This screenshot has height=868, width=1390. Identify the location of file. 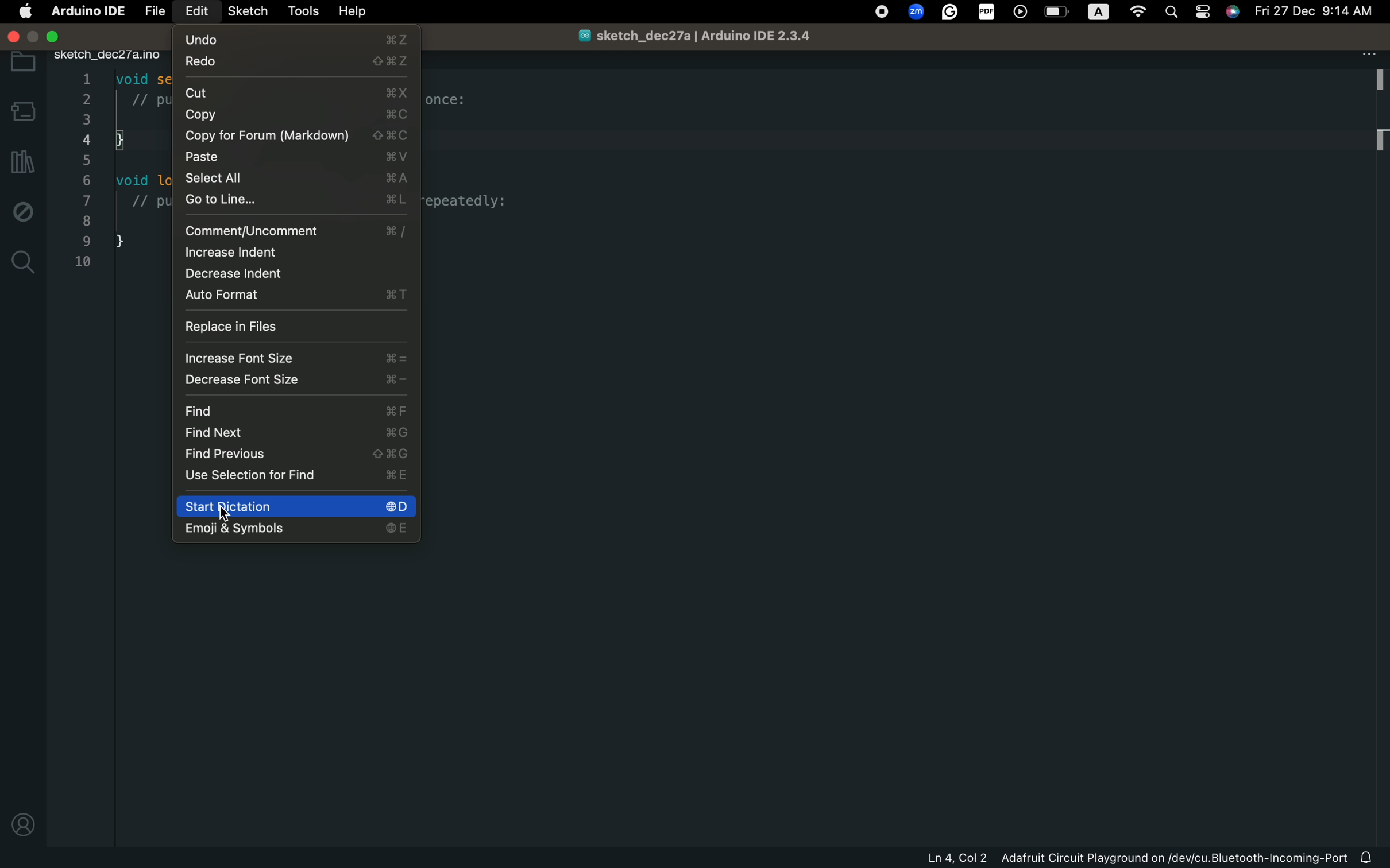
(153, 12).